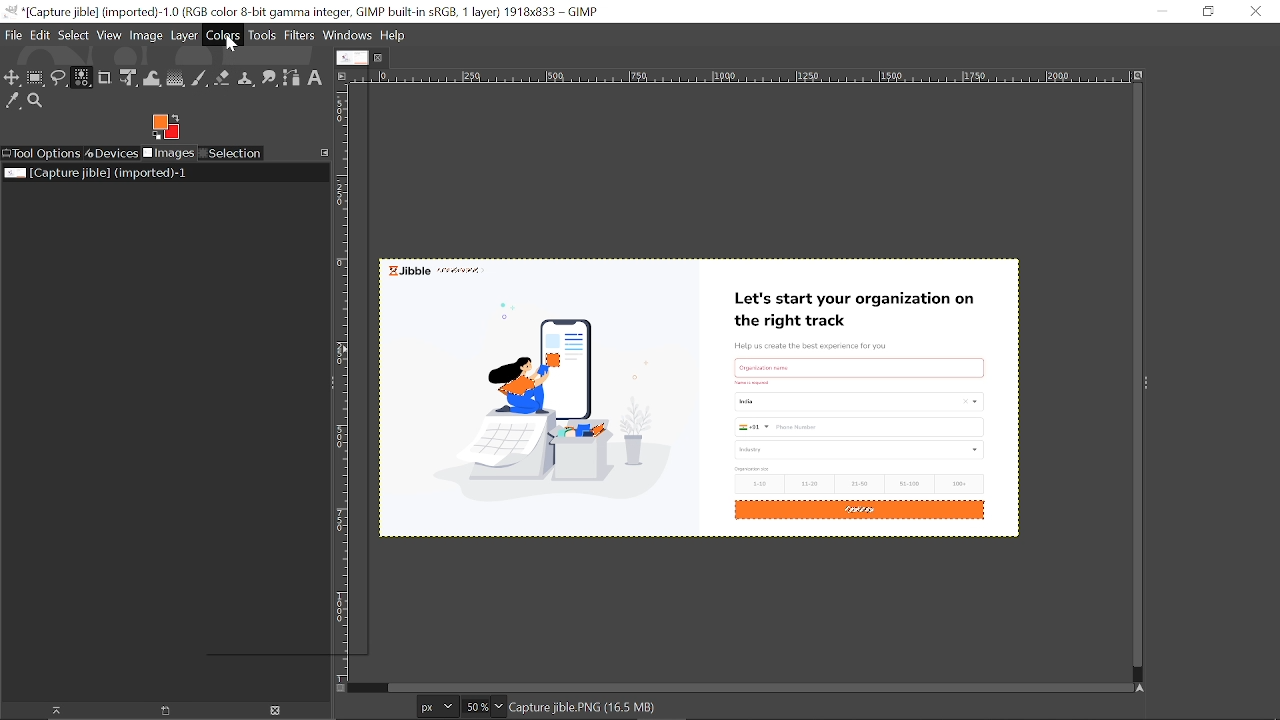 This screenshot has width=1280, height=720. Describe the element at coordinates (176, 79) in the screenshot. I see `Gradient tool` at that location.